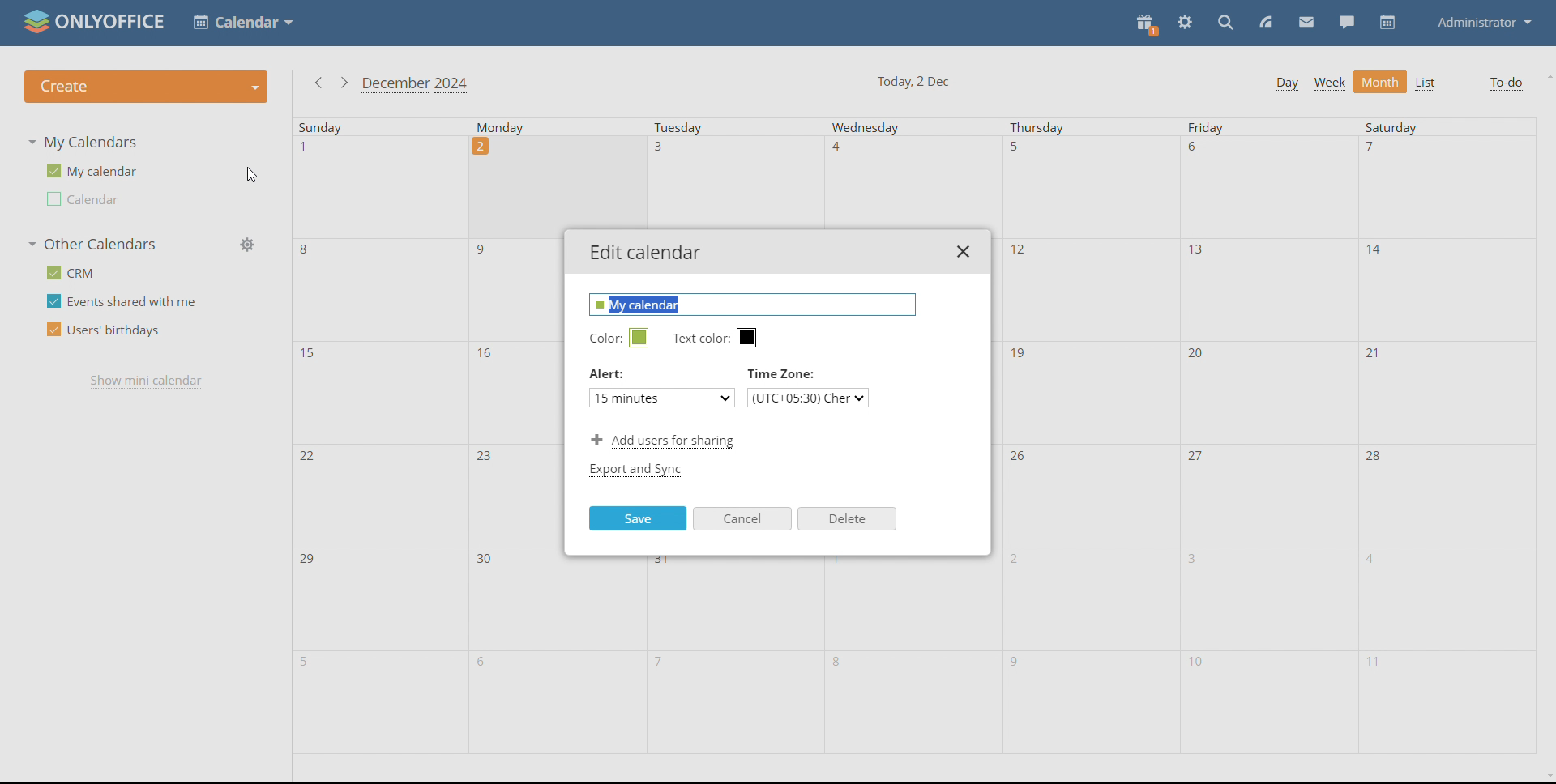 This screenshot has height=784, width=1556. I want to click on other calendar, so click(91, 199).